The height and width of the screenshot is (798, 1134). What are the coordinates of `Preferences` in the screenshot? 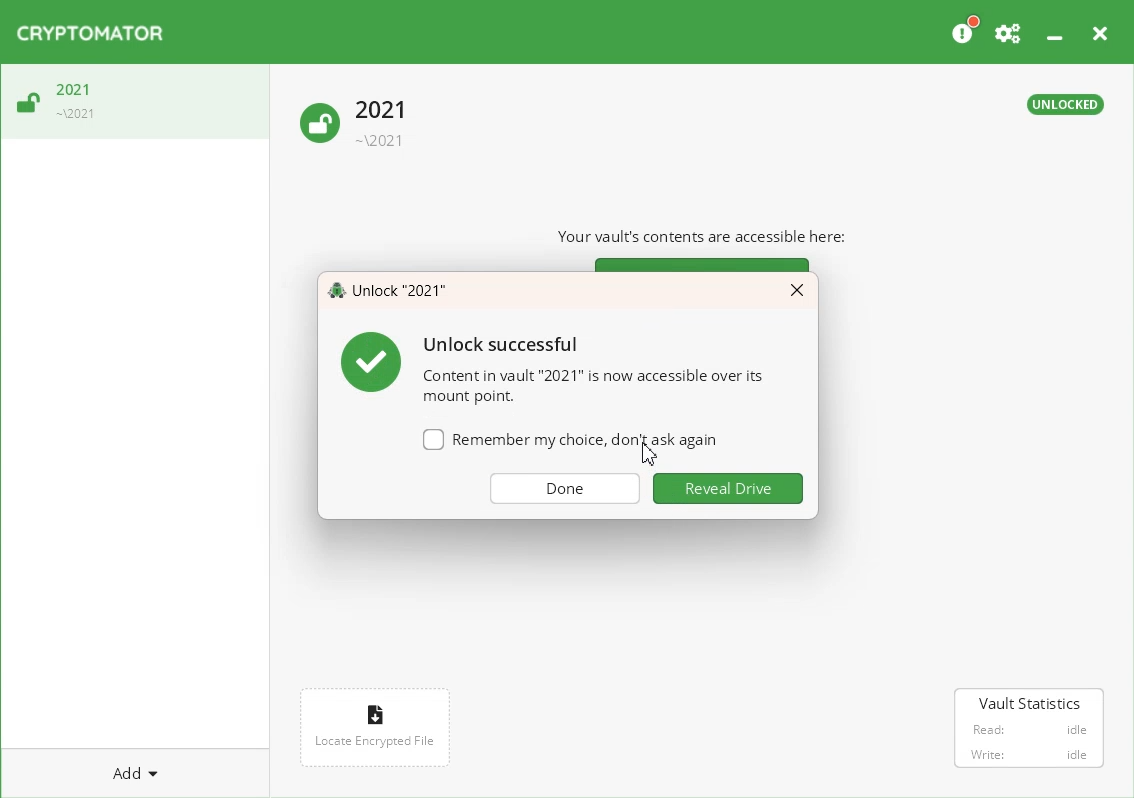 It's located at (1009, 30).